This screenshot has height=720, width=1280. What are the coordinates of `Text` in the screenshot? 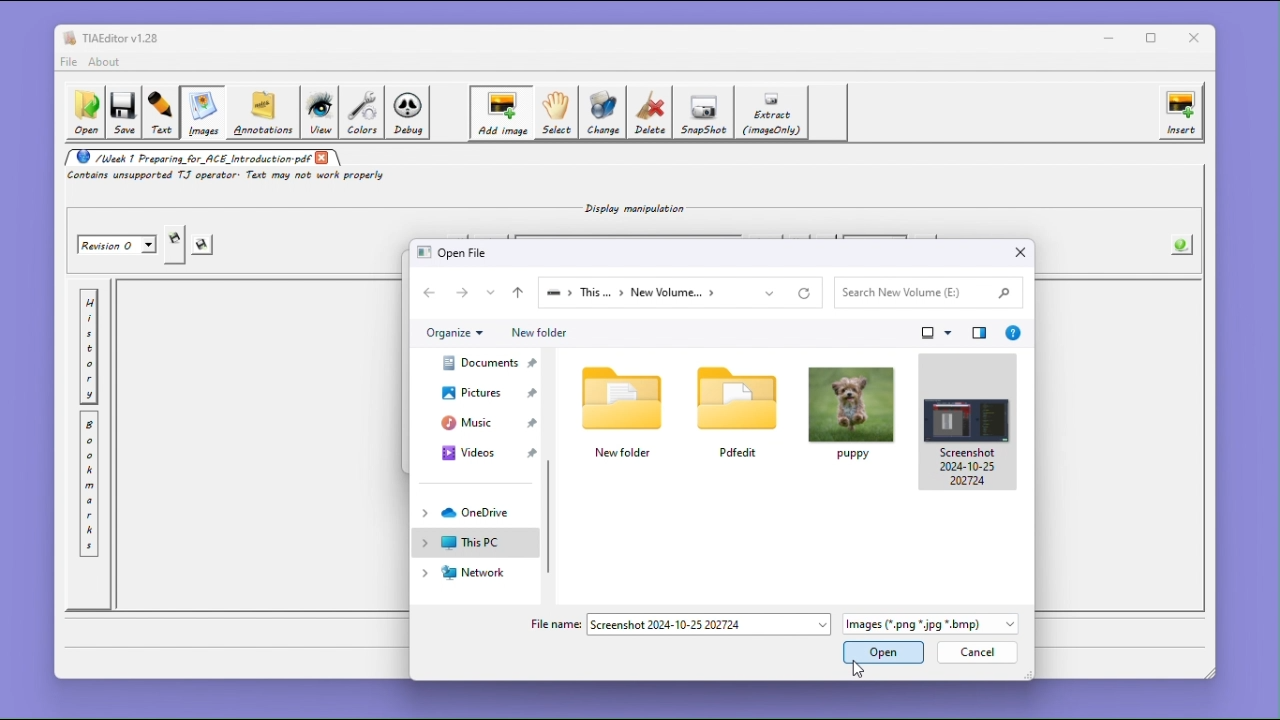 It's located at (161, 113).